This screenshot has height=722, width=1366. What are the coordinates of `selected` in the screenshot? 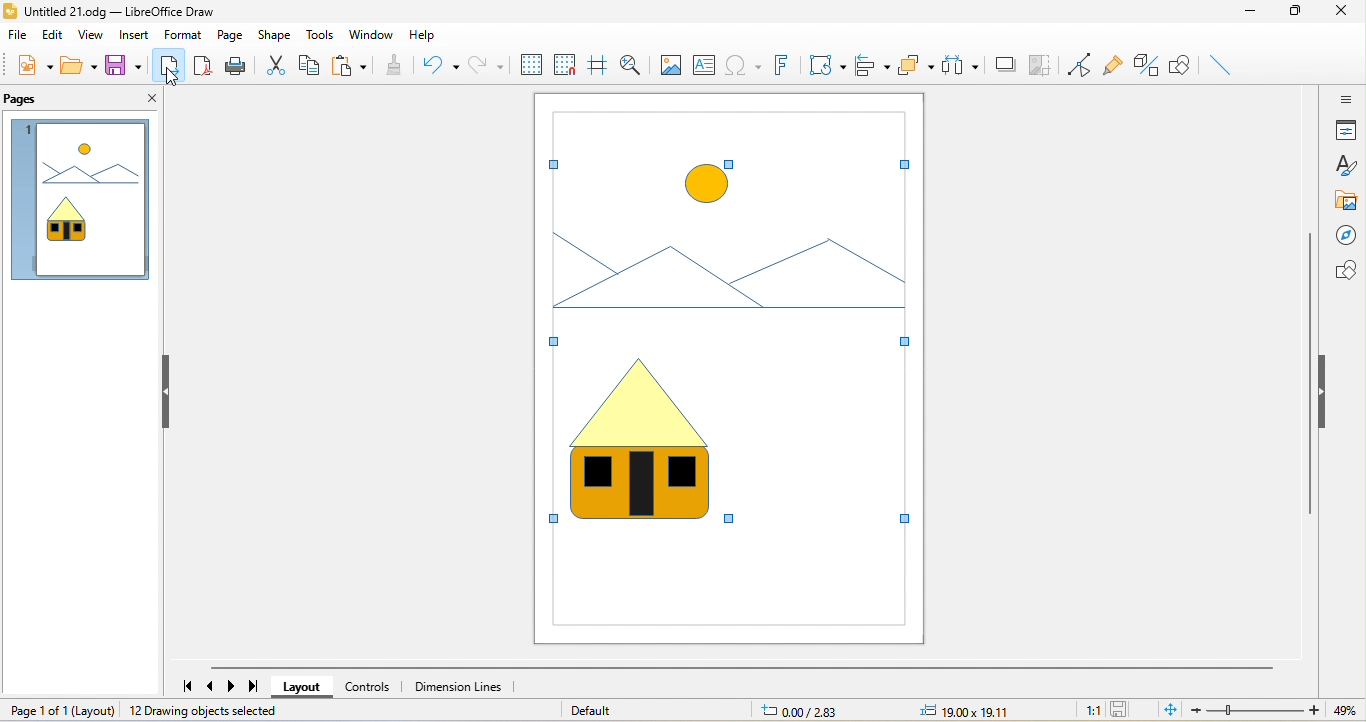 It's located at (727, 323).